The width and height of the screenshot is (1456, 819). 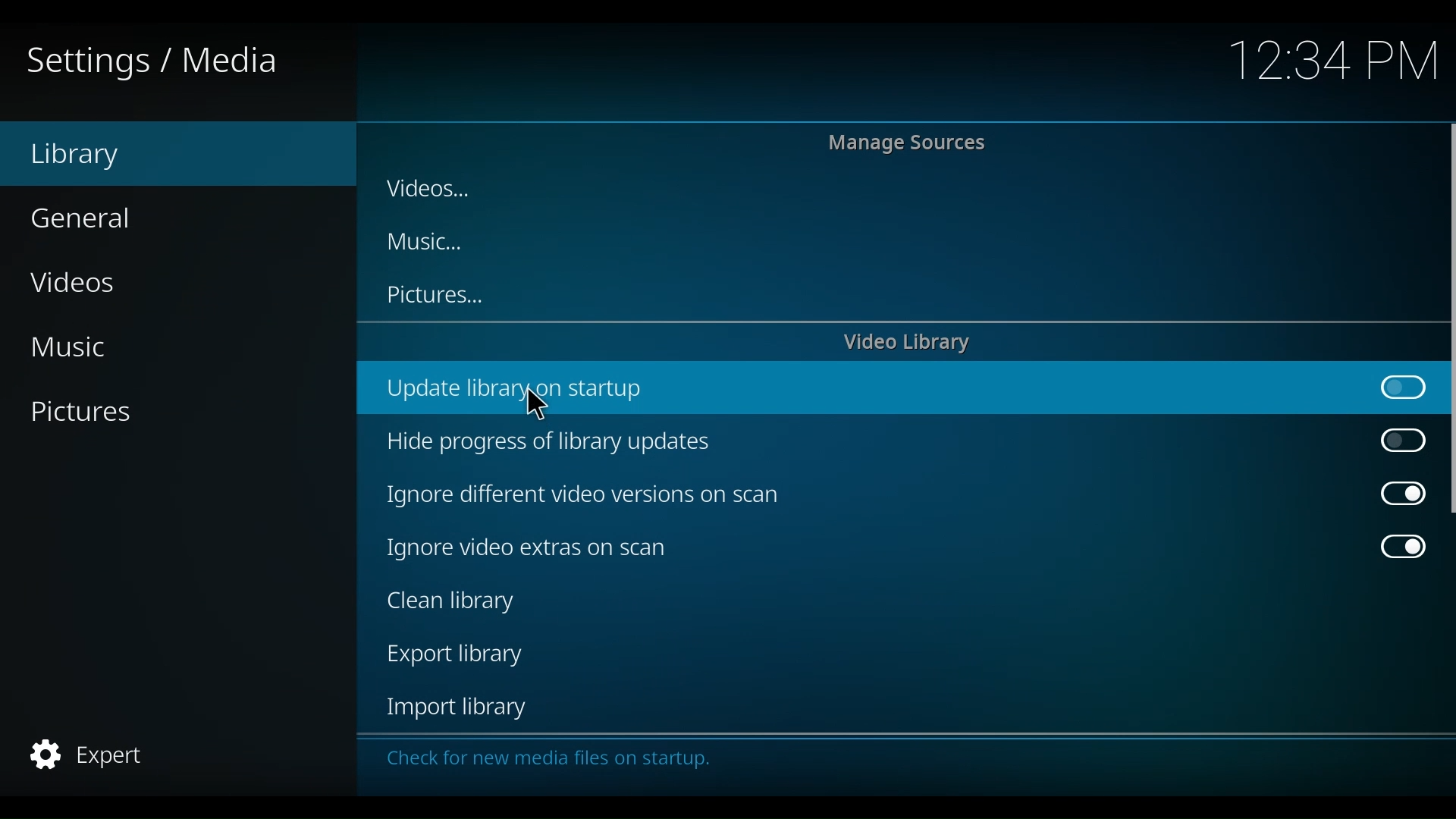 What do you see at coordinates (461, 656) in the screenshot?
I see `Export library` at bounding box center [461, 656].